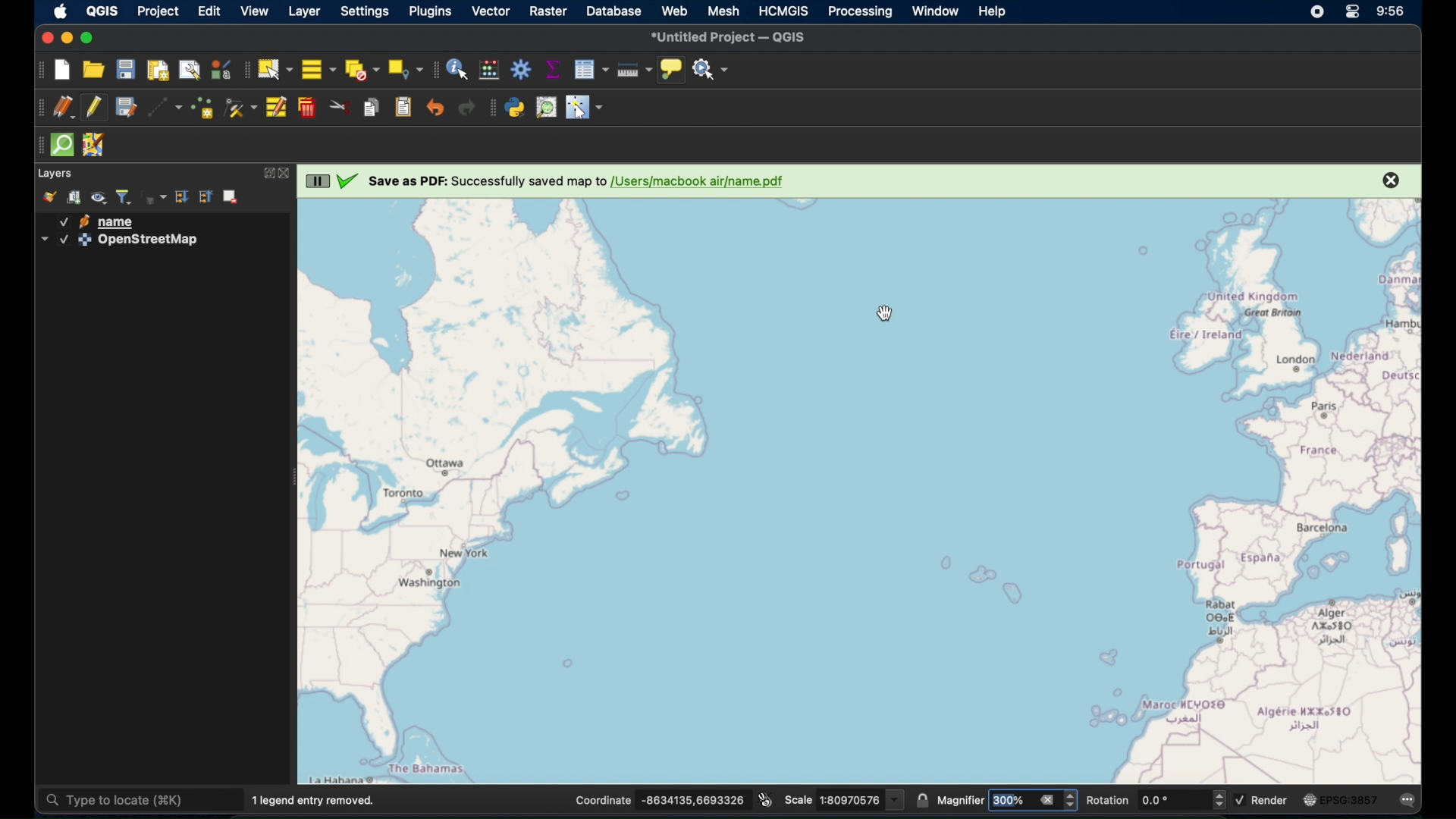  Describe the element at coordinates (125, 70) in the screenshot. I see `save project` at that location.